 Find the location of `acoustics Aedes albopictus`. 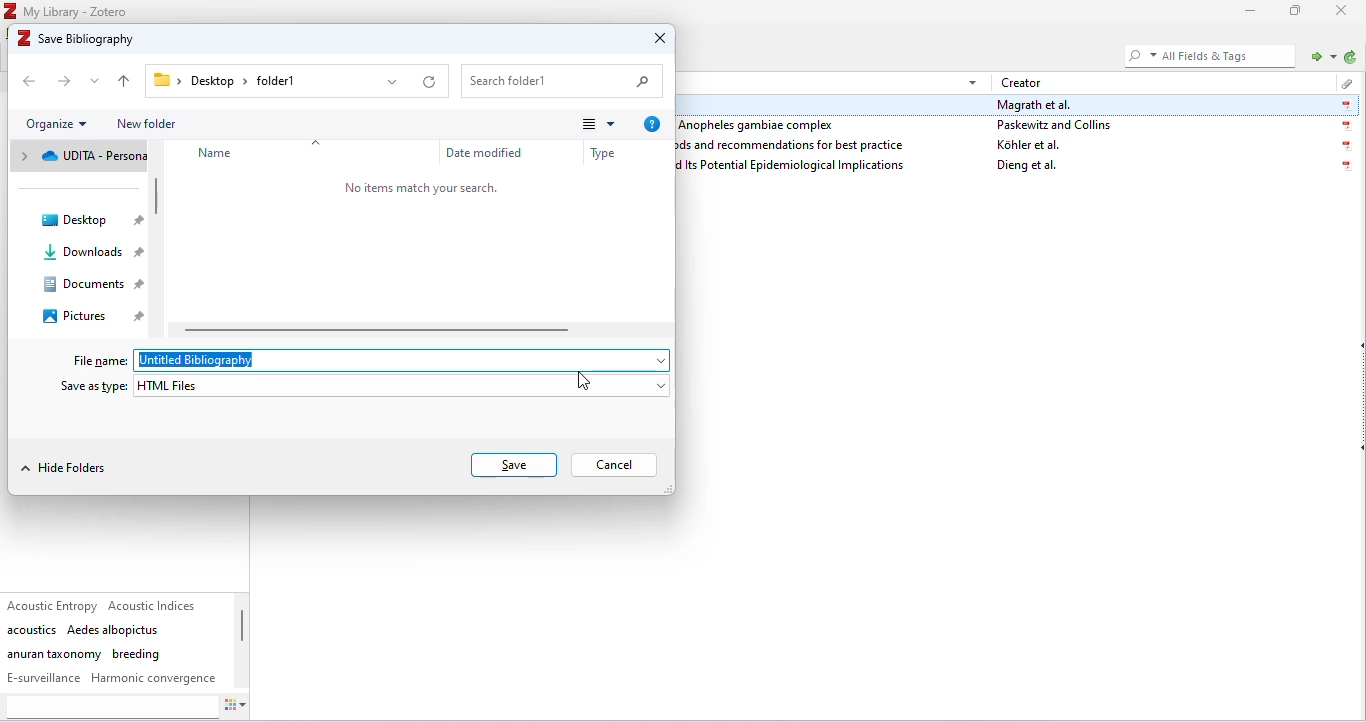

acoustics Aedes albopictus is located at coordinates (84, 630).